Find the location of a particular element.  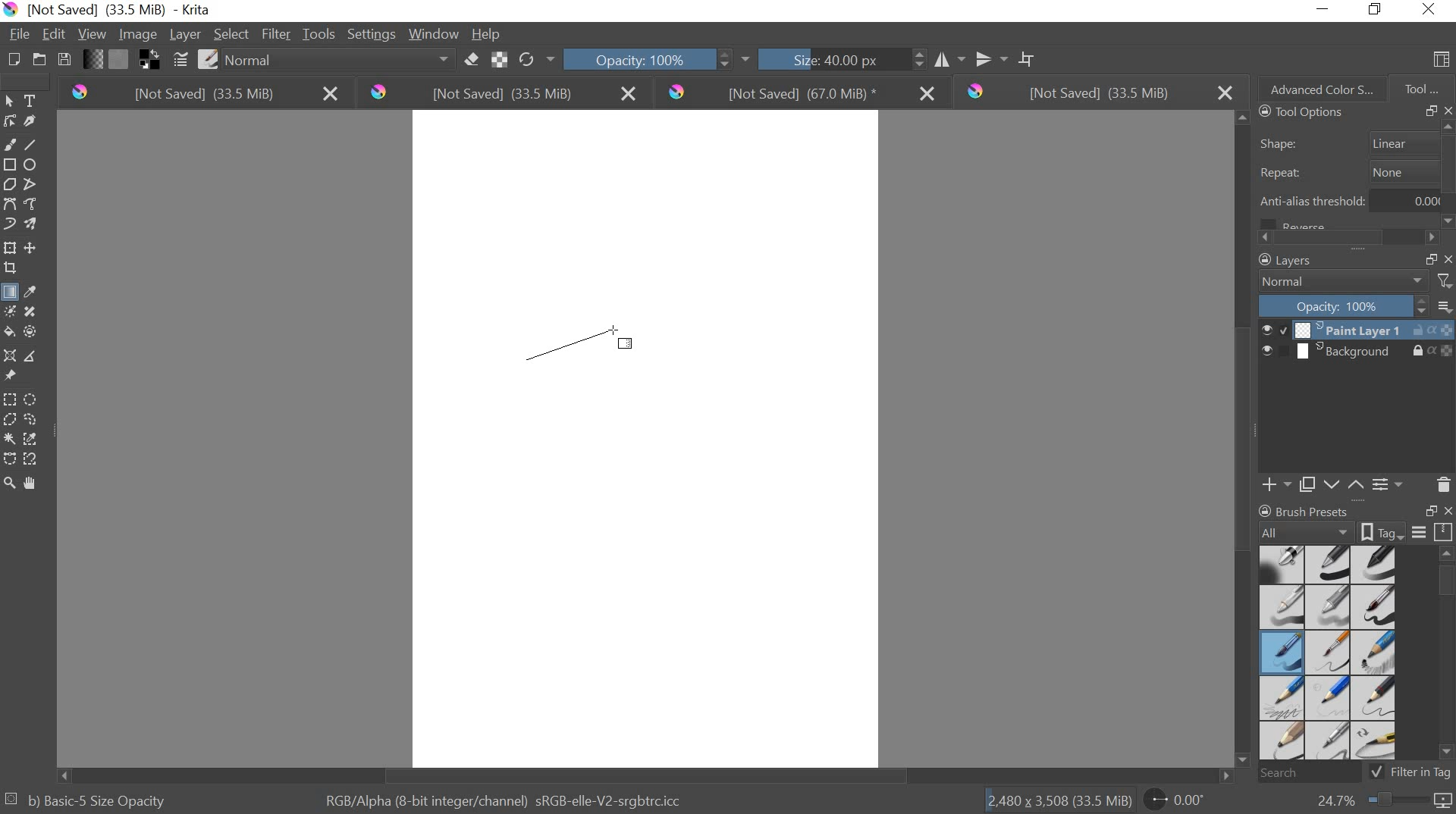

CLOSE is located at coordinates (1446, 512).